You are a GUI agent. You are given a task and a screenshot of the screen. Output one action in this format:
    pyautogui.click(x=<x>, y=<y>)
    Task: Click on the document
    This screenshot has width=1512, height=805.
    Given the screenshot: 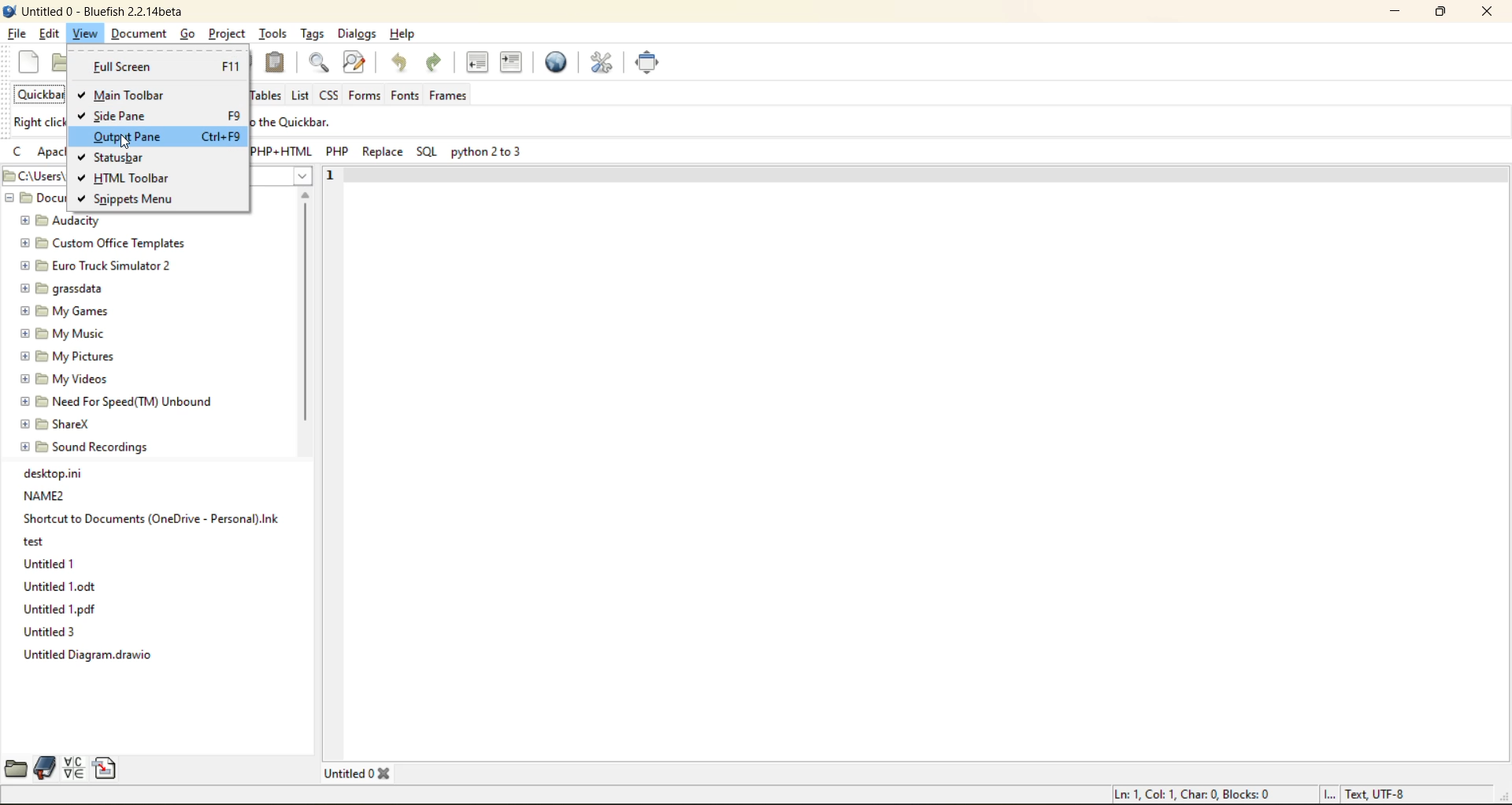 What is the action you would take?
    pyautogui.click(x=141, y=35)
    